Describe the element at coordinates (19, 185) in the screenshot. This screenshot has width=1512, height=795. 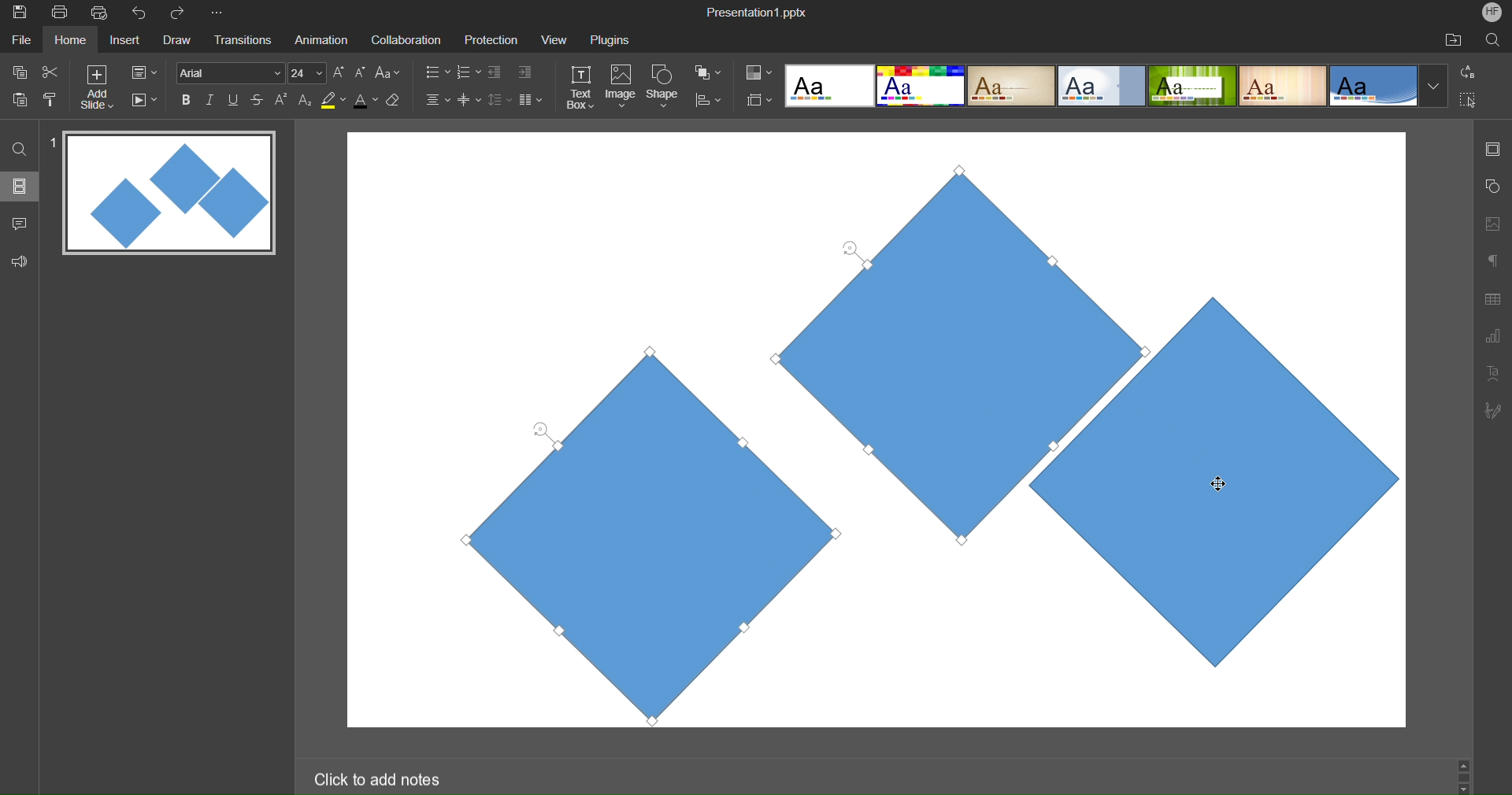
I see `View slides` at that location.